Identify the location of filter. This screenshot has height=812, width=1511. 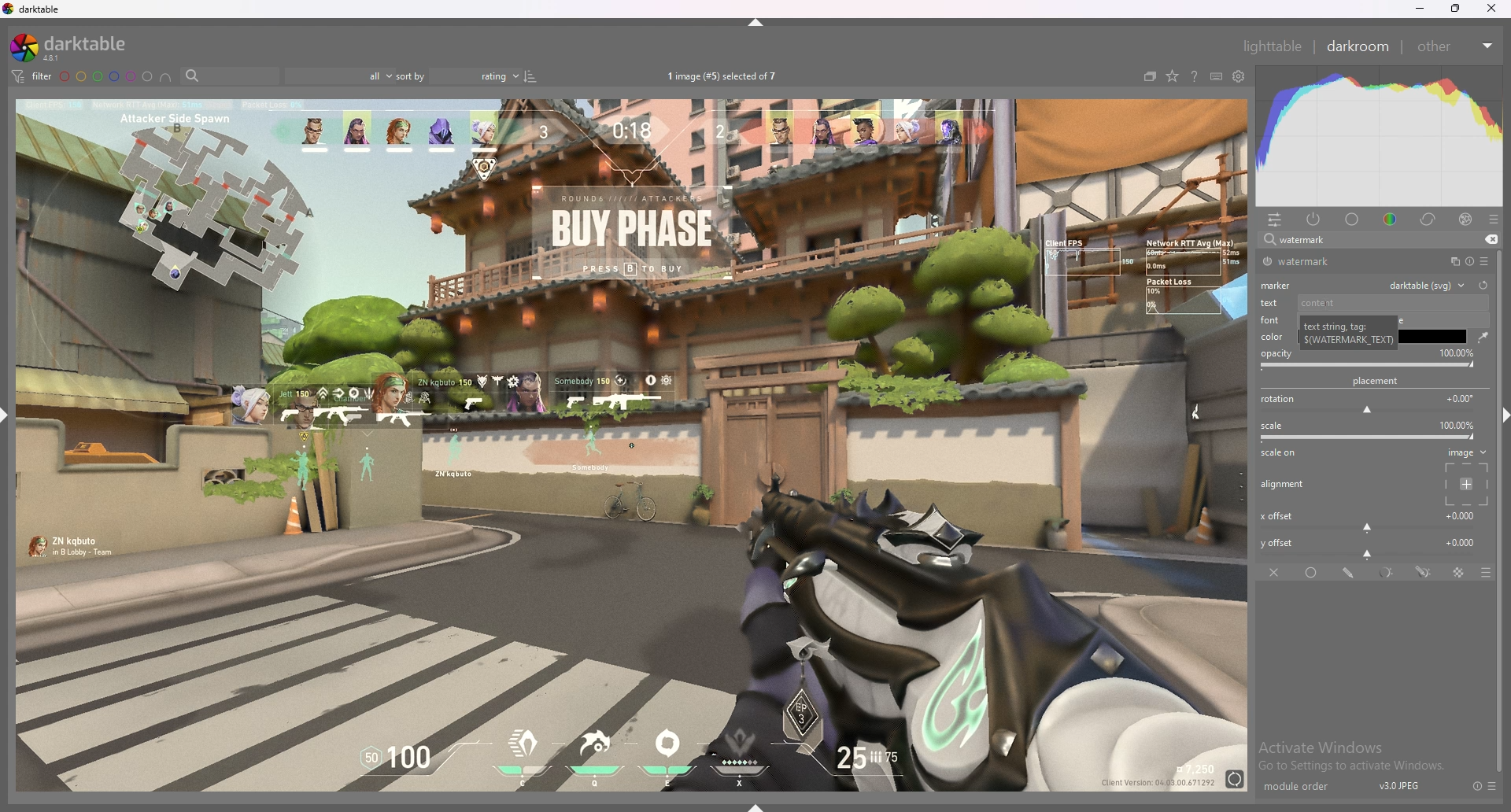
(30, 76).